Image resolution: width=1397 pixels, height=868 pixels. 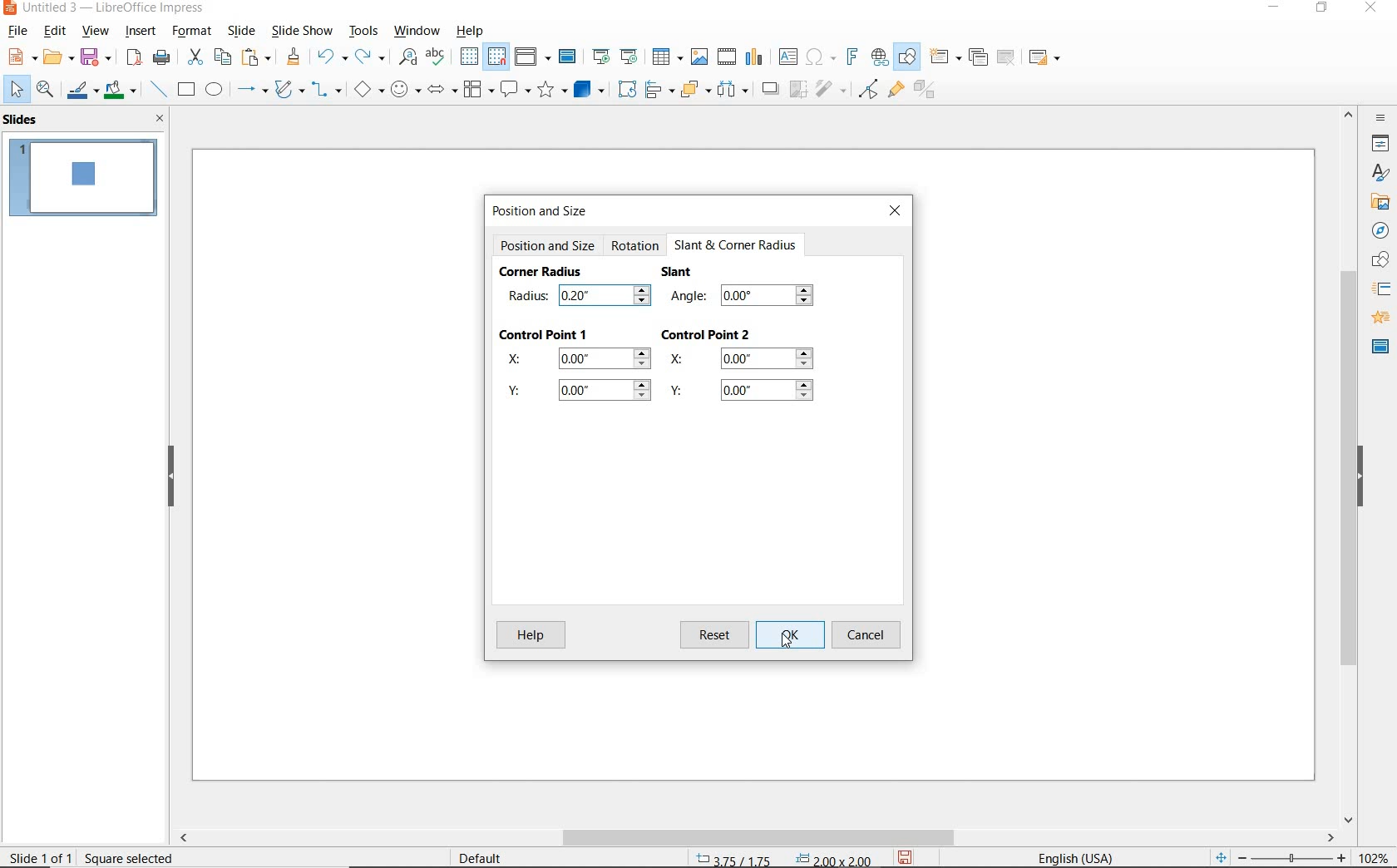 I want to click on fill color, so click(x=122, y=90).